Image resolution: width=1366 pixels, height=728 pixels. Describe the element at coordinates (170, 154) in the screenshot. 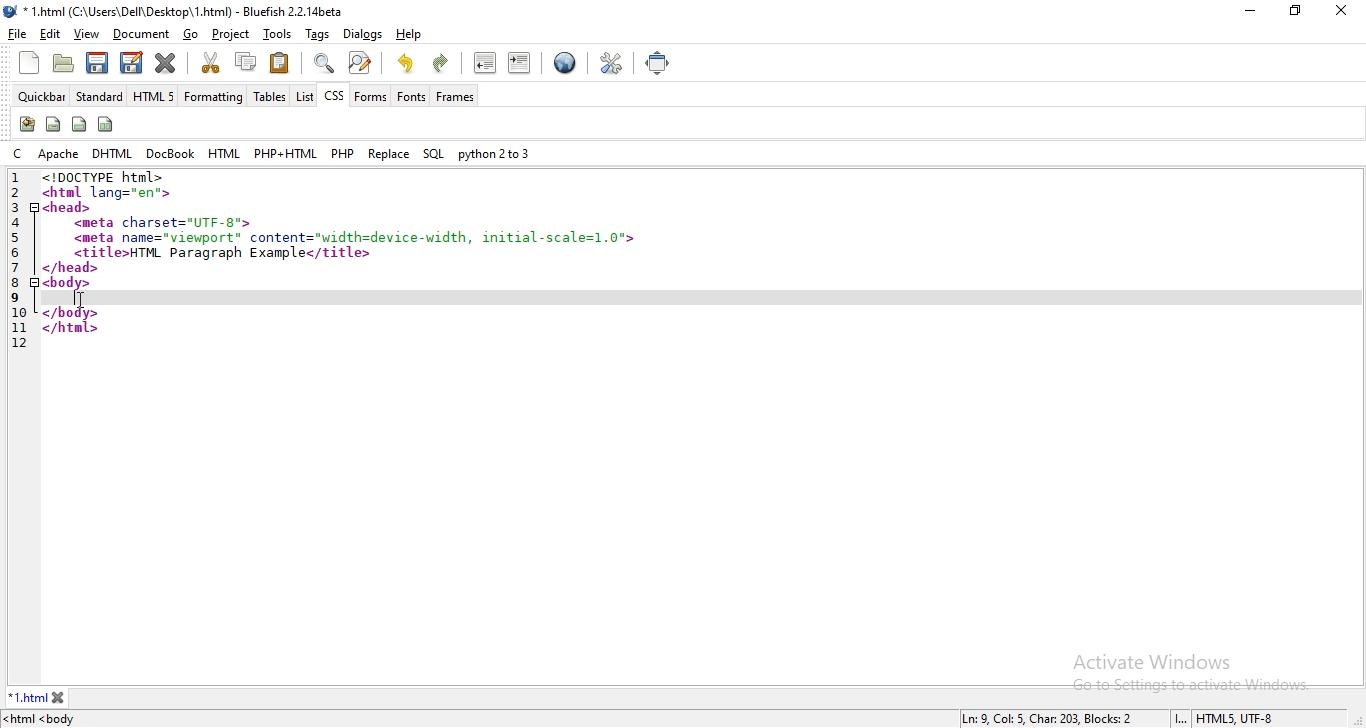

I see `docbook` at that location.